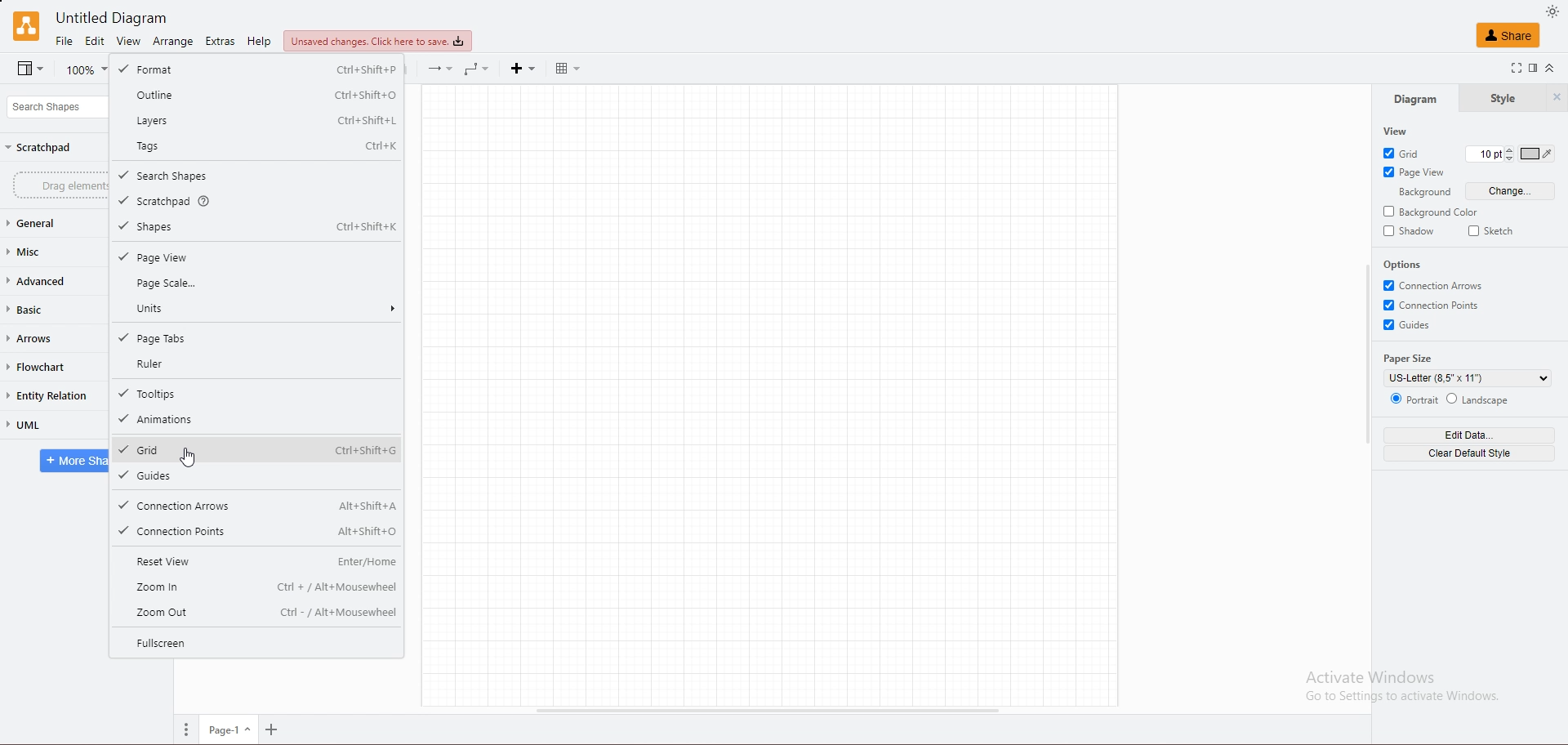 The width and height of the screenshot is (1568, 745). Describe the element at coordinates (1437, 285) in the screenshot. I see `connection arrows` at that location.